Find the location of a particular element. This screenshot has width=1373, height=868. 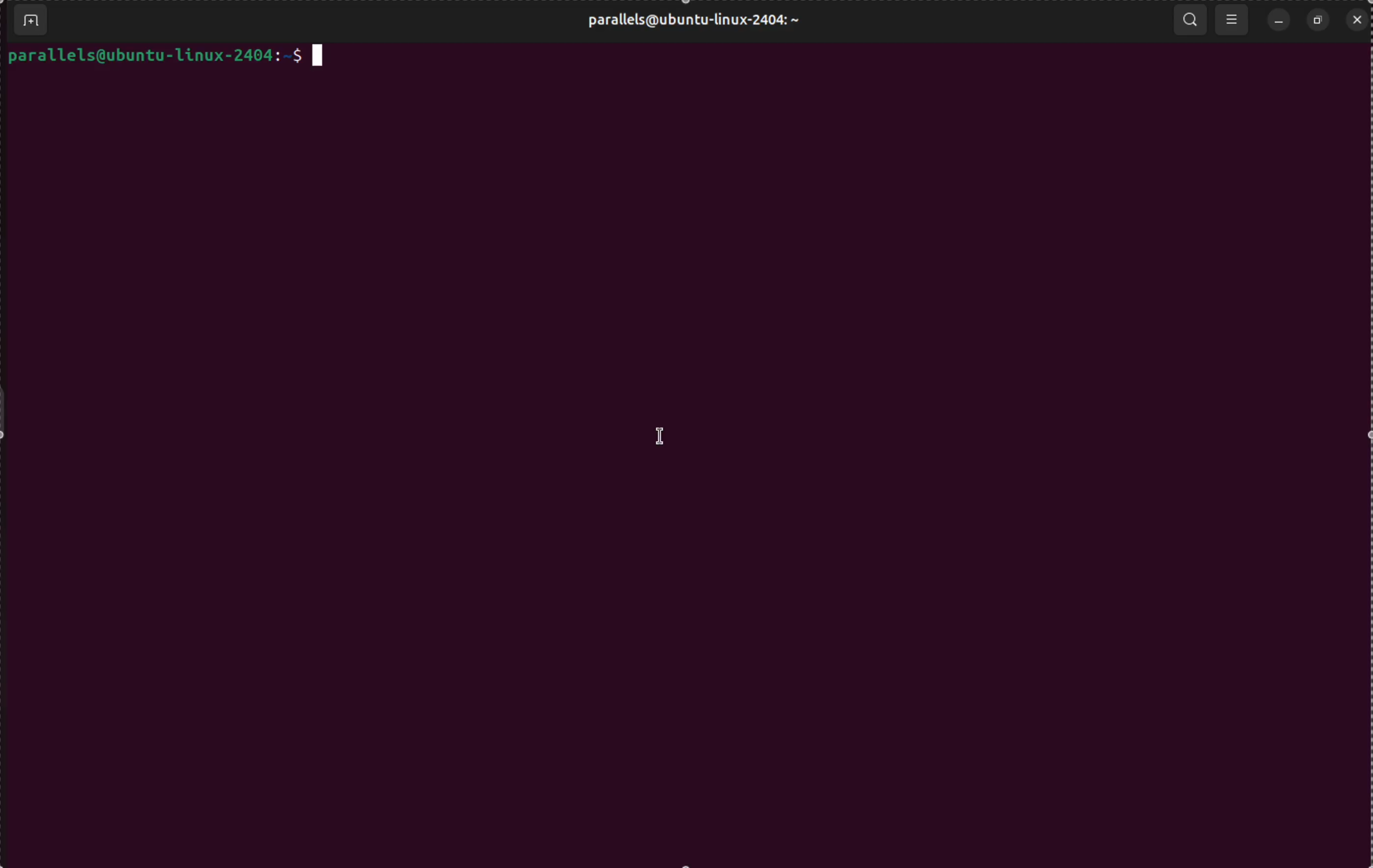

minimize is located at coordinates (1277, 21).